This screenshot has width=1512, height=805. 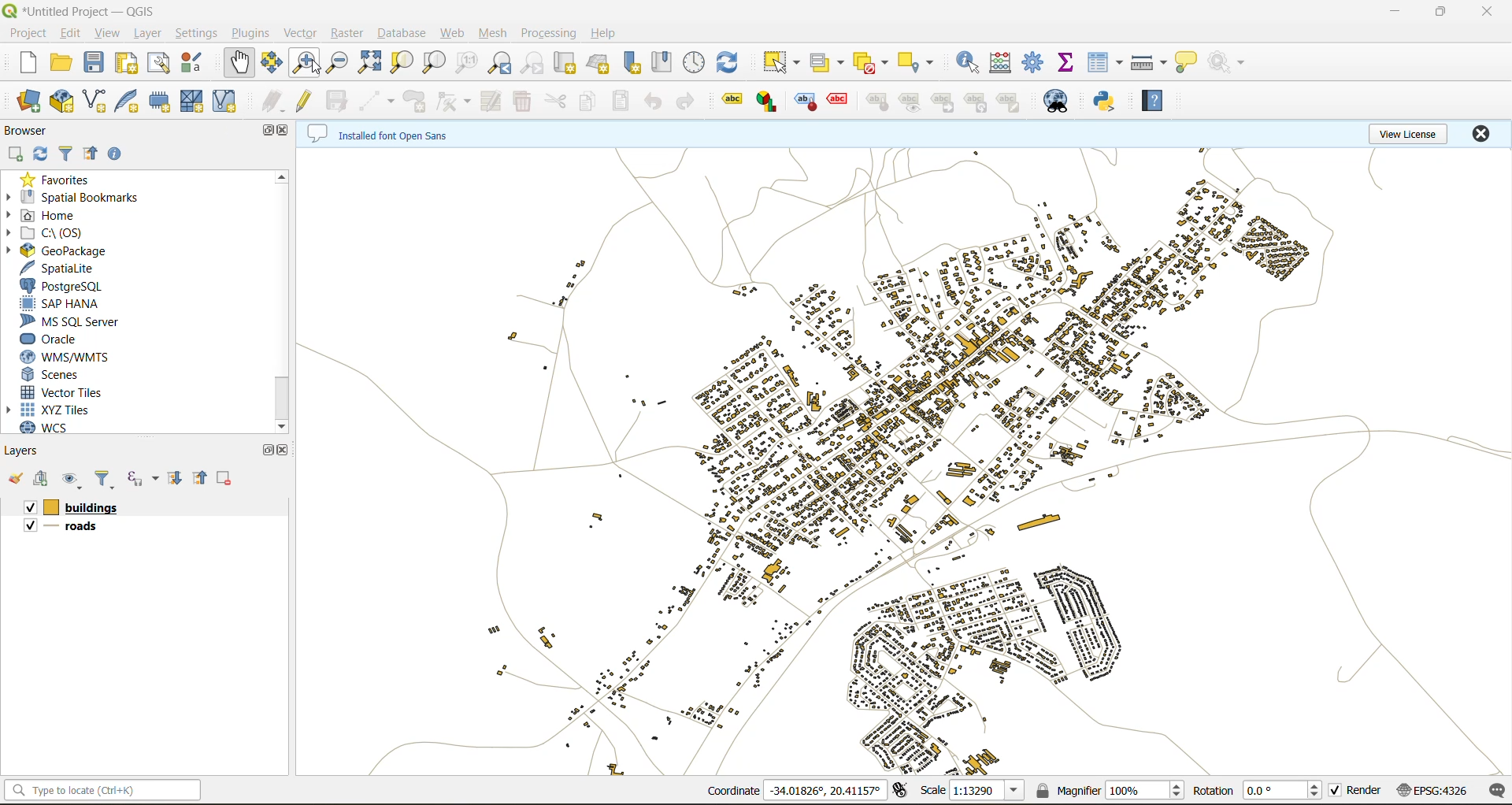 I want to click on sap hana, so click(x=62, y=303).